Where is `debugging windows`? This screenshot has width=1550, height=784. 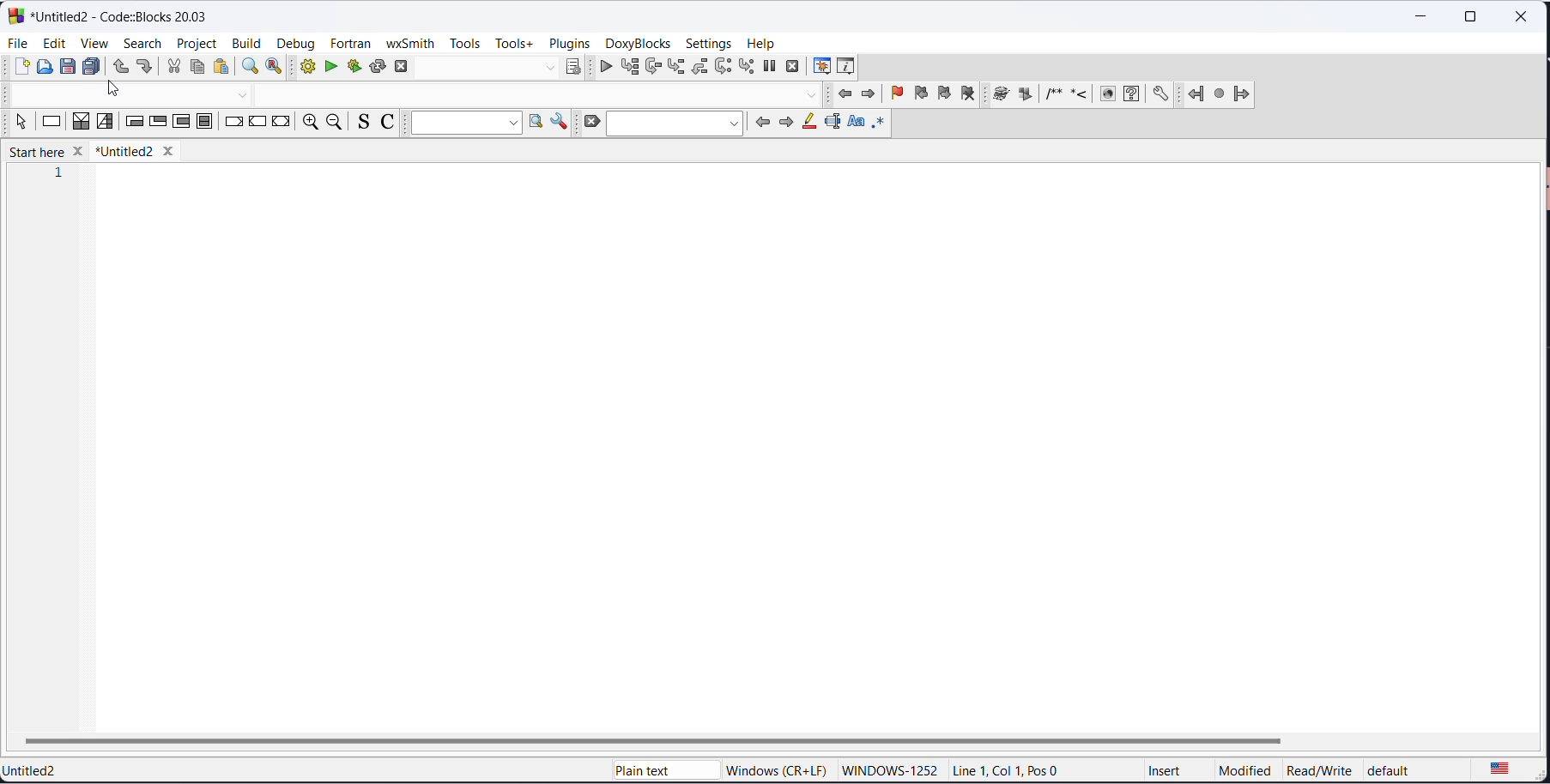
debugging windows is located at coordinates (820, 66).